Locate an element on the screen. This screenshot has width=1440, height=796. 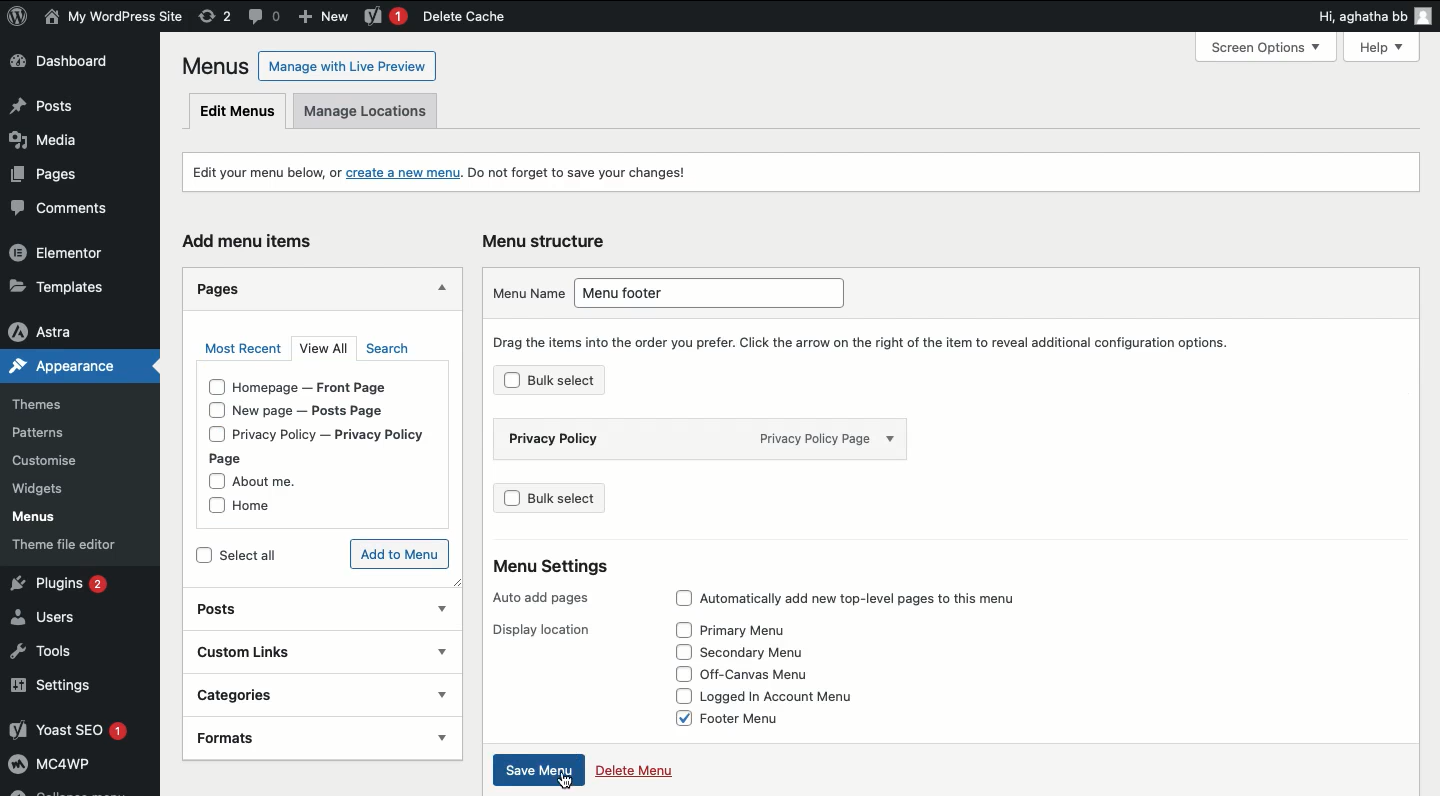
Menus is located at coordinates (212, 66).